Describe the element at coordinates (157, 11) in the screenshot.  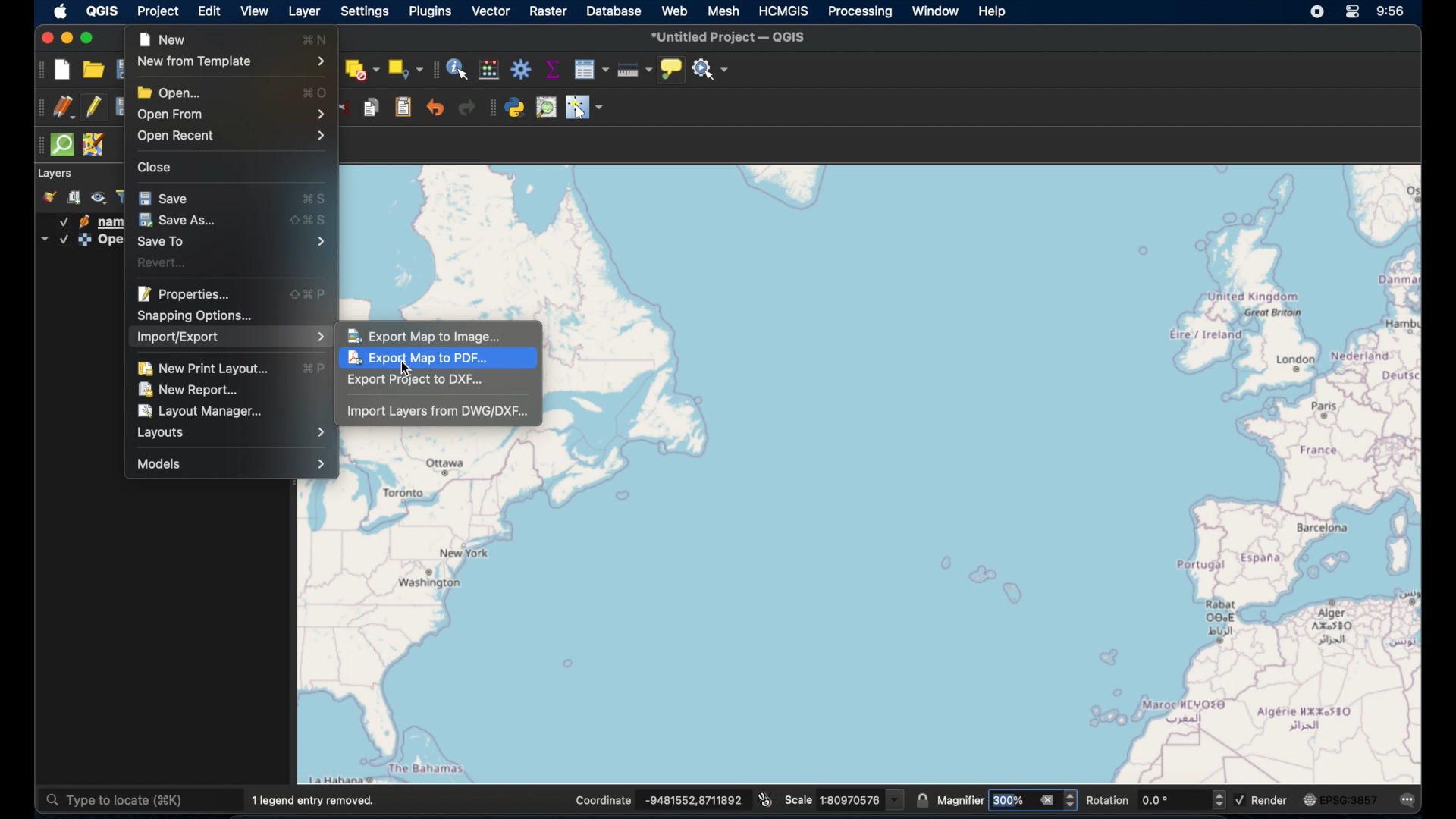
I see `project selected` at that location.